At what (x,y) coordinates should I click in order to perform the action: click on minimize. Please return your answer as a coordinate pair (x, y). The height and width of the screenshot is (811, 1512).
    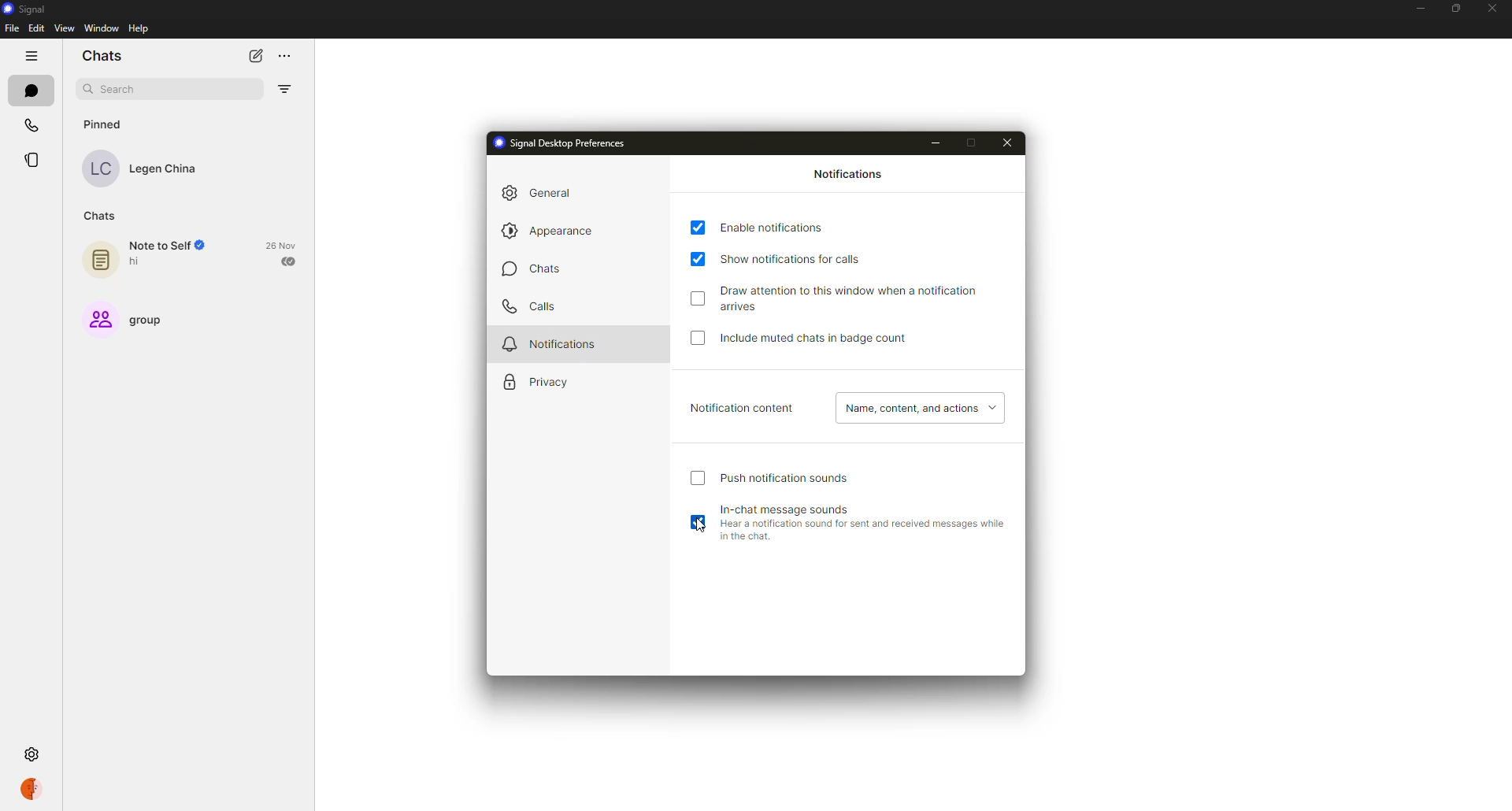
    Looking at the image, I should click on (1418, 9).